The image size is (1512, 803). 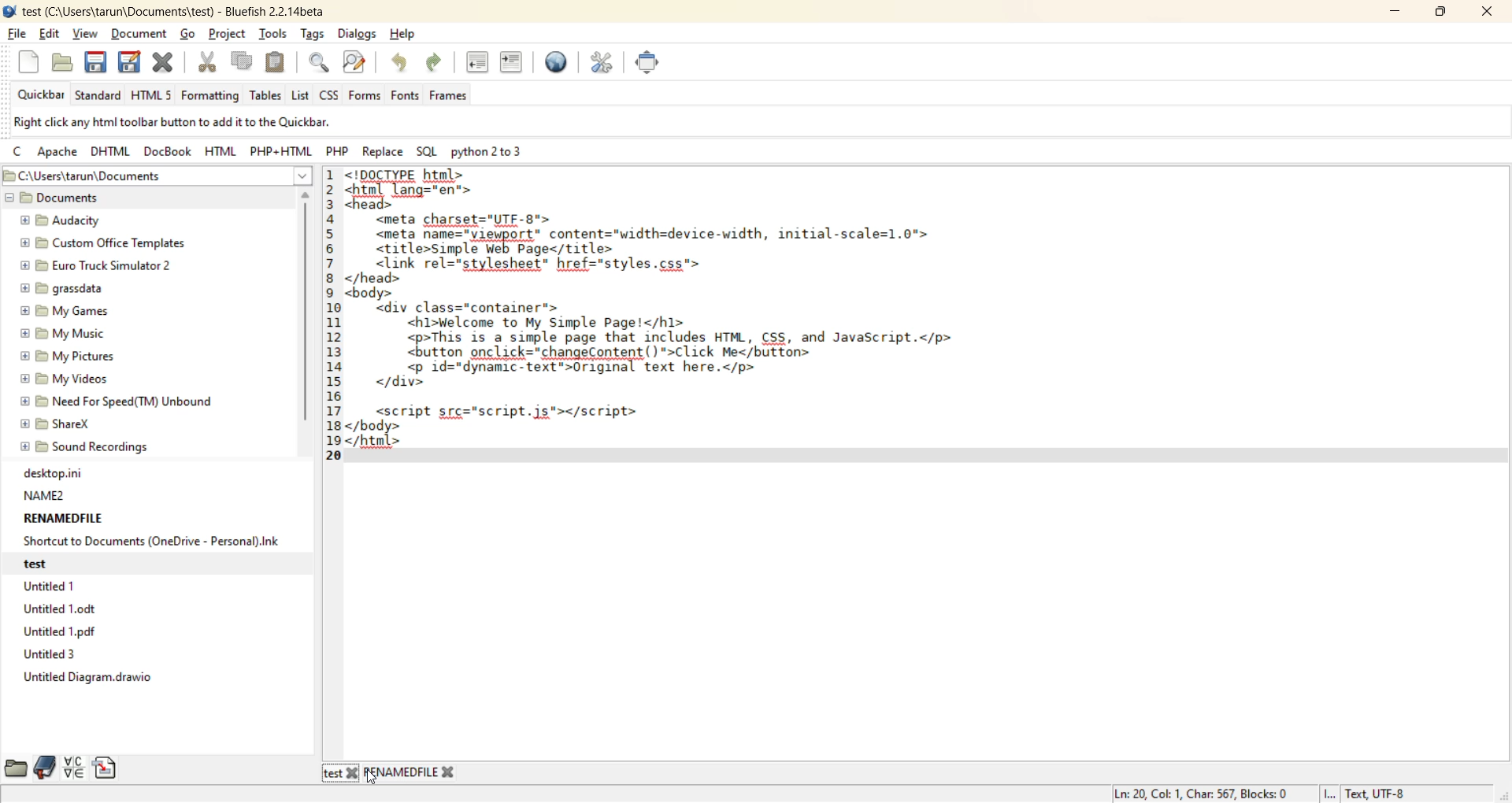 What do you see at coordinates (437, 62) in the screenshot?
I see `redo` at bounding box center [437, 62].